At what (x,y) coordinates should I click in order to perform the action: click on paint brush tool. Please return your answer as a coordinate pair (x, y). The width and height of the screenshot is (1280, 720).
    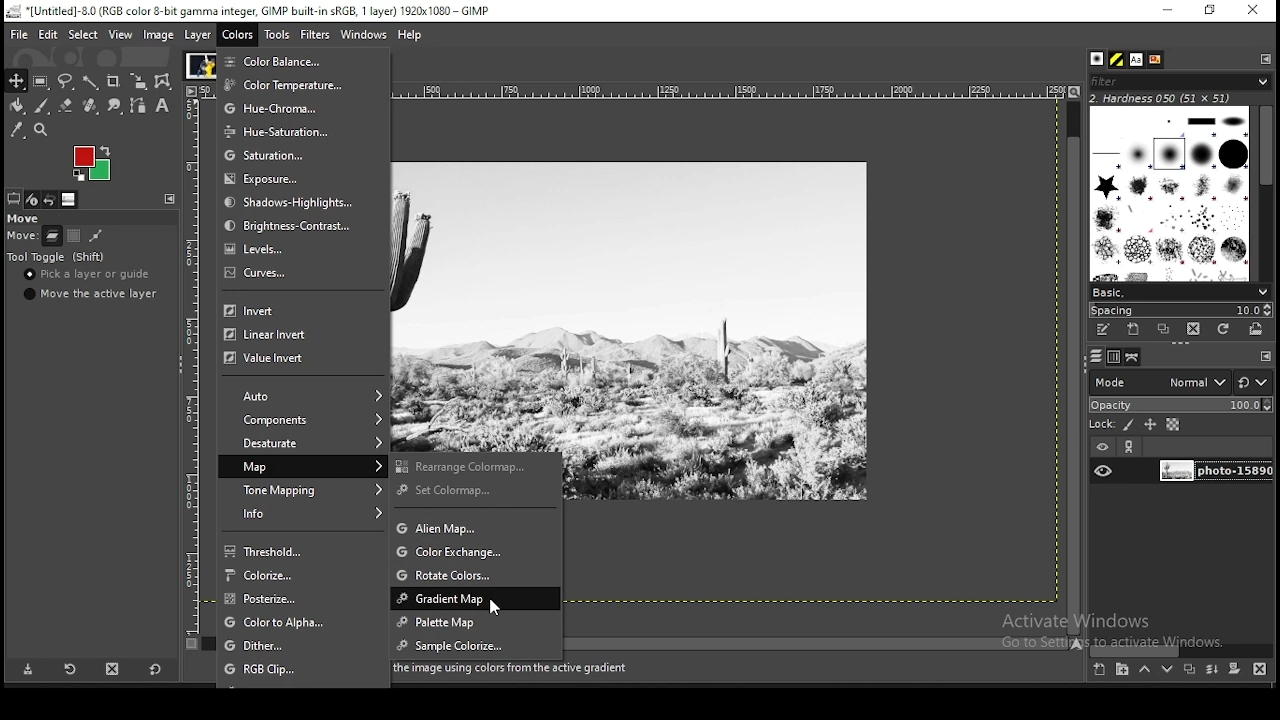
    Looking at the image, I should click on (43, 106).